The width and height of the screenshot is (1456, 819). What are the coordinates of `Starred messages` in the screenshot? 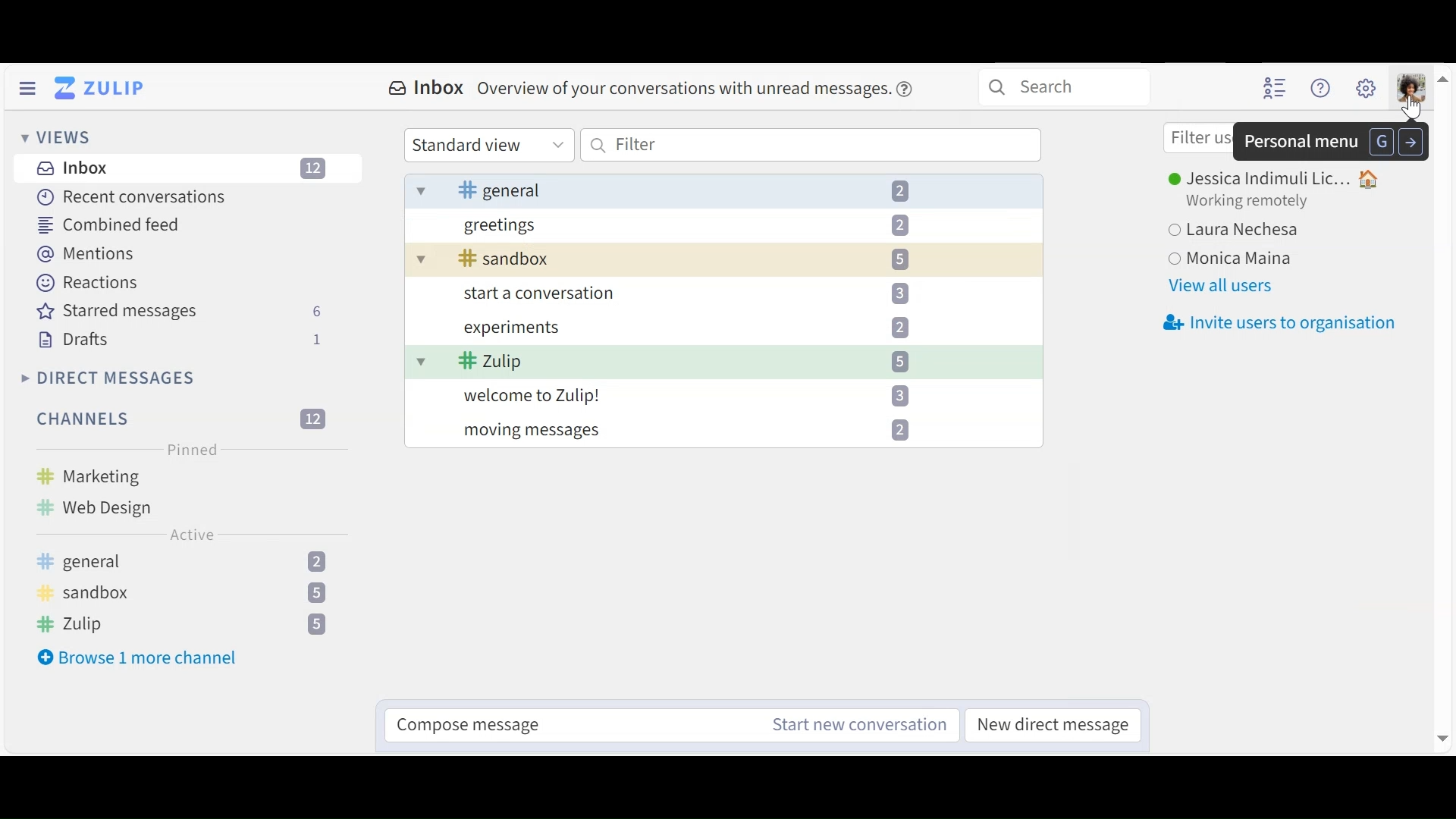 It's located at (180, 310).